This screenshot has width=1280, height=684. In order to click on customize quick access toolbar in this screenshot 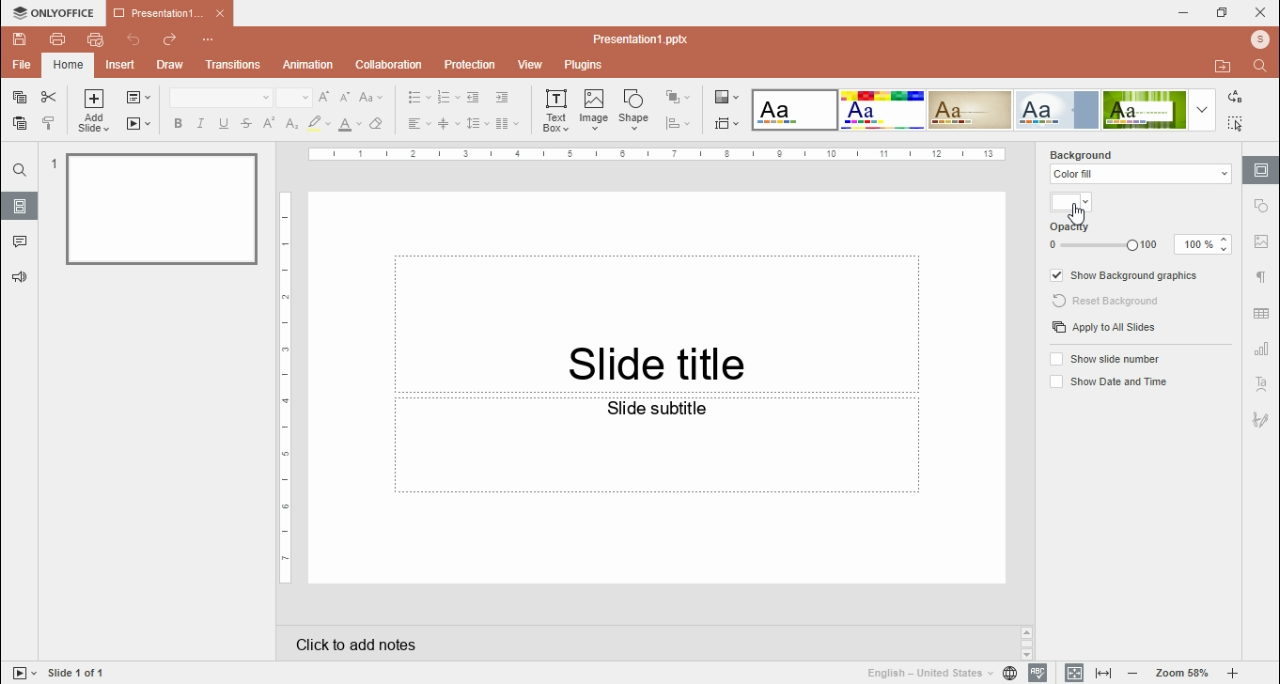, I will do `click(207, 40)`.